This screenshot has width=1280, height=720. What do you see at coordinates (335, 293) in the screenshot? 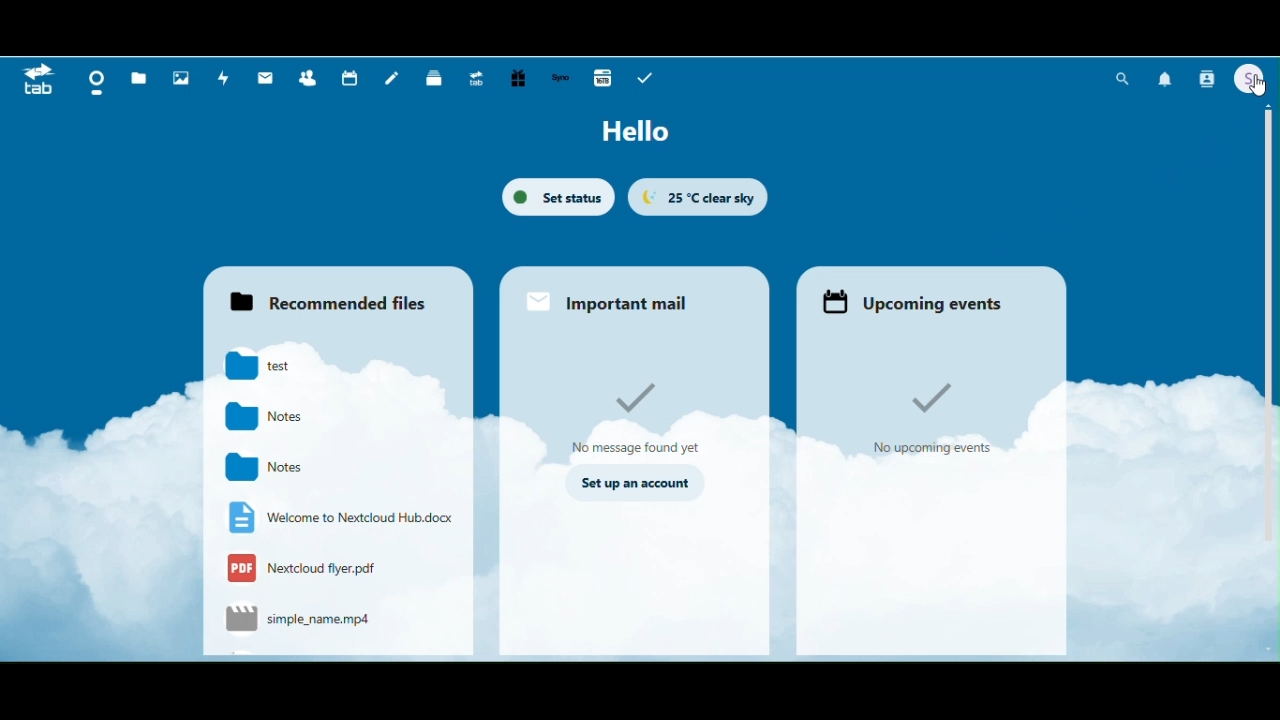
I see `Recommended files` at bounding box center [335, 293].